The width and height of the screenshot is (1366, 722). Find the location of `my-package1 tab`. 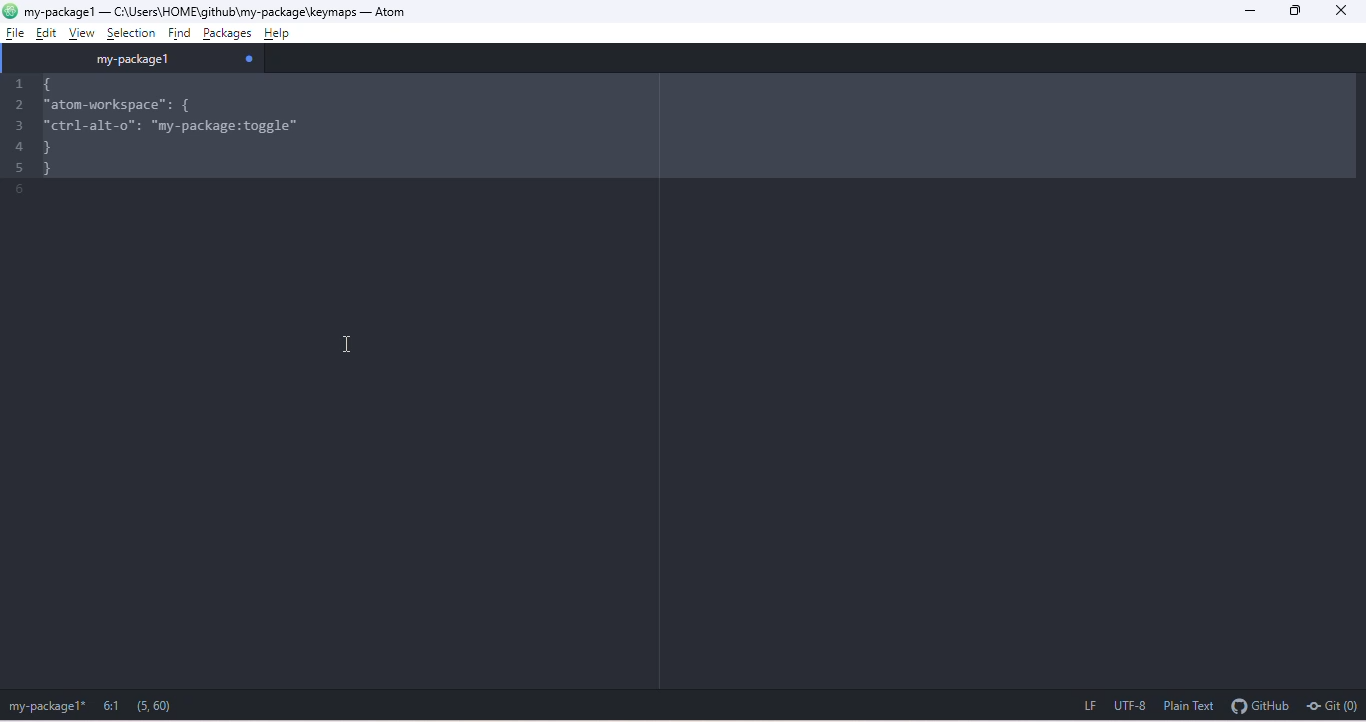

my-package1 tab is located at coordinates (139, 59).